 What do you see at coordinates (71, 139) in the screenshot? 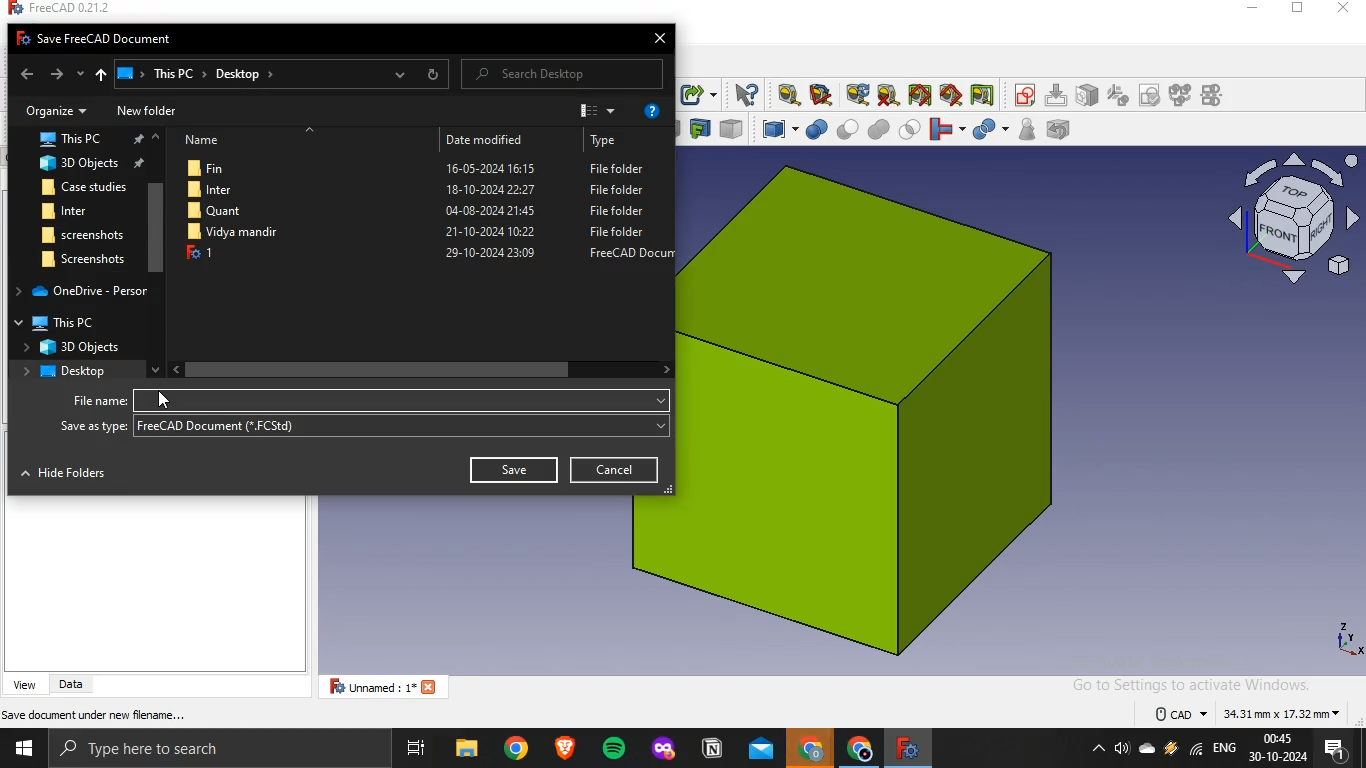
I see `this pc` at bounding box center [71, 139].